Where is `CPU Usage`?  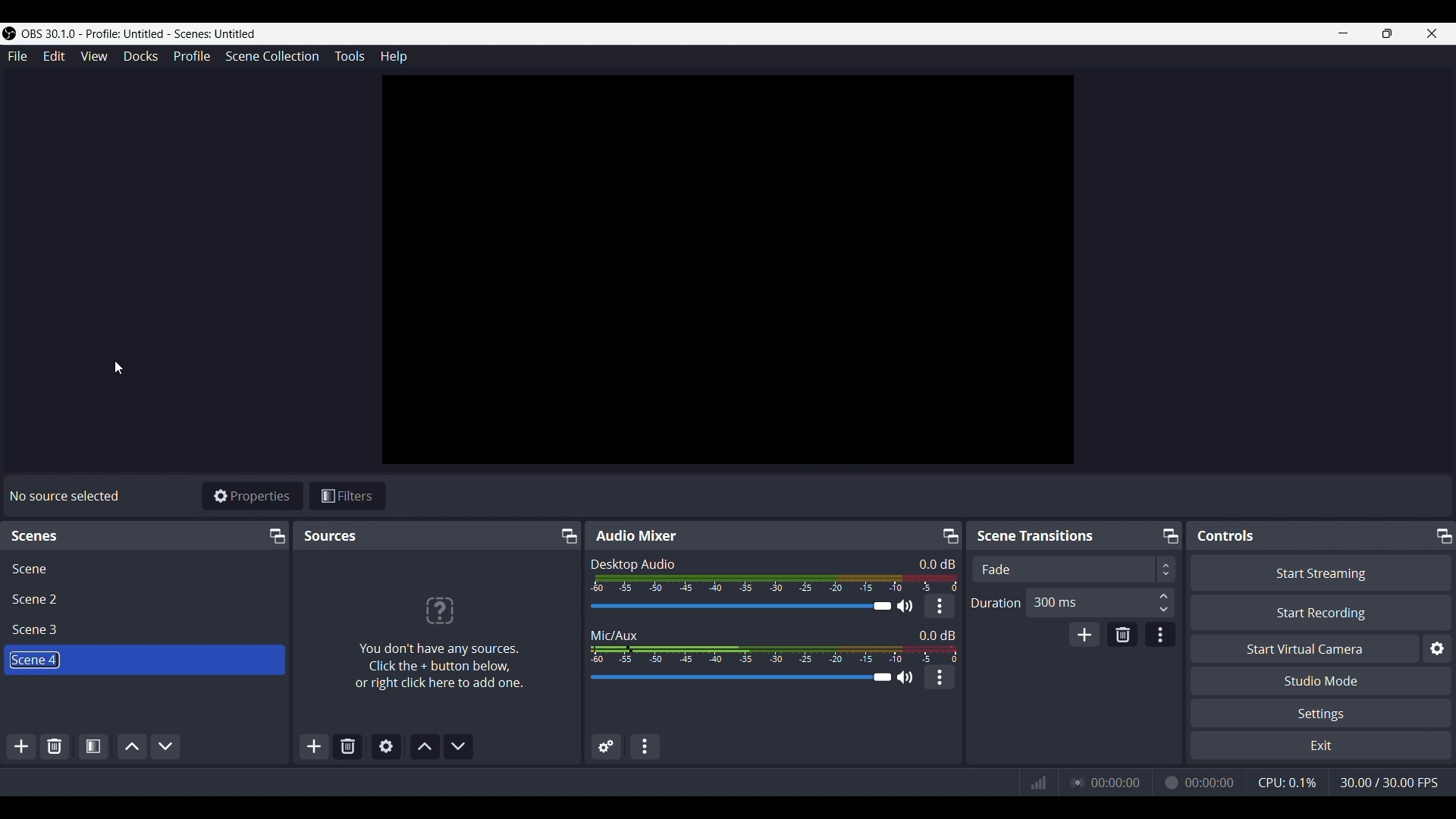 CPU Usage is located at coordinates (1288, 782).